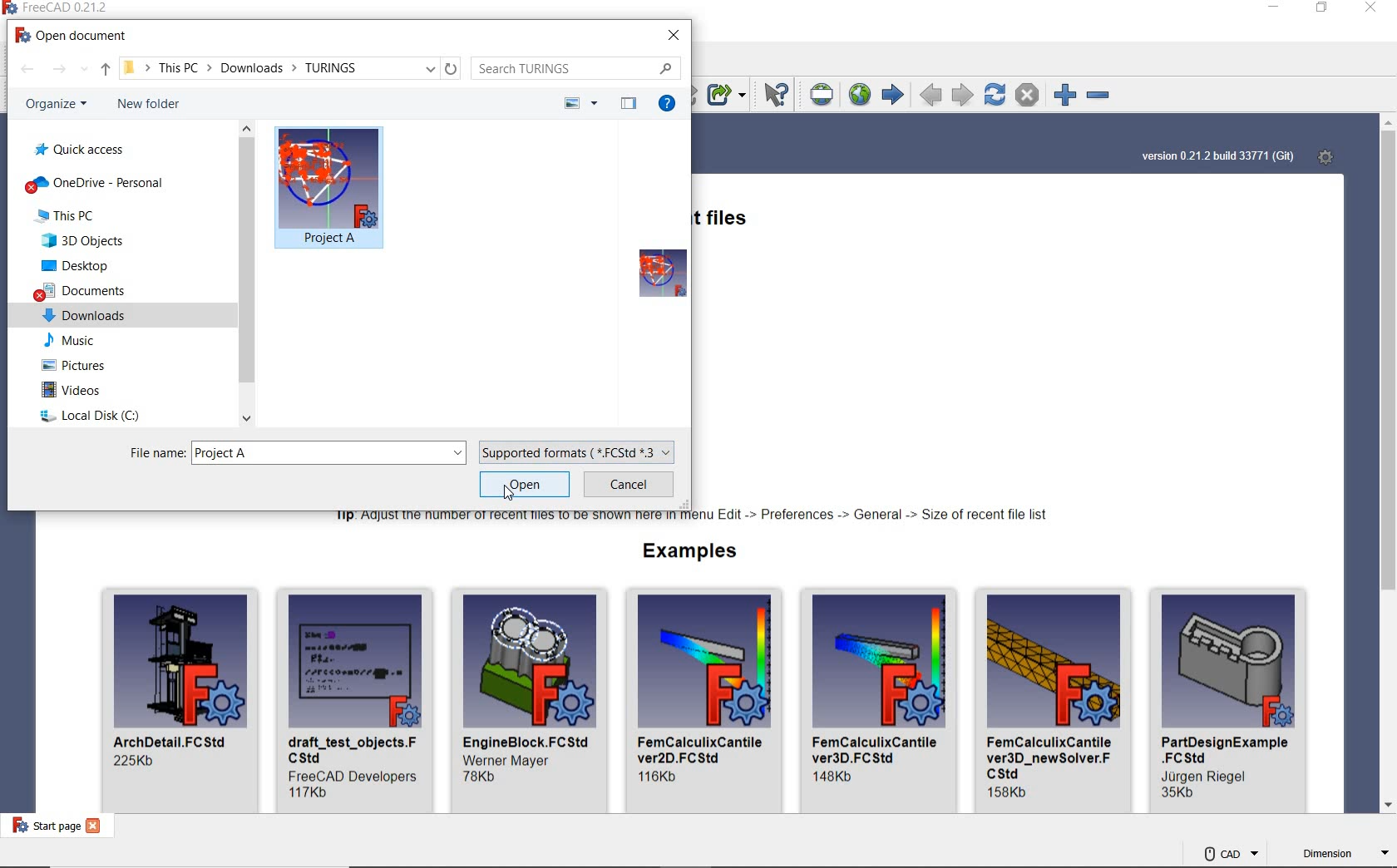 The image size is (1397, 868). I want to click on NEW FOLDER, so click(146, 106).